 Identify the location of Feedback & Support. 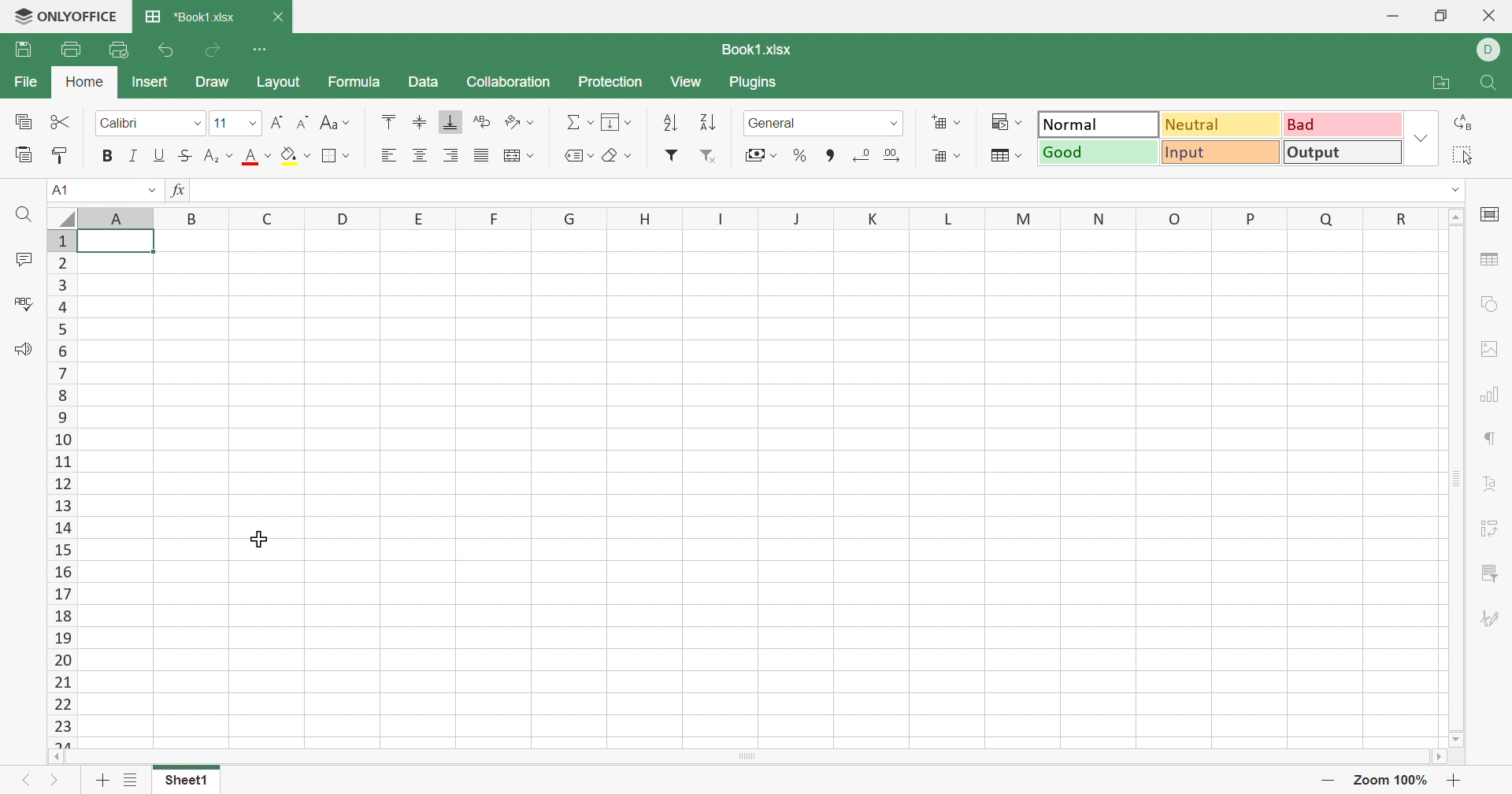
(26, 350).